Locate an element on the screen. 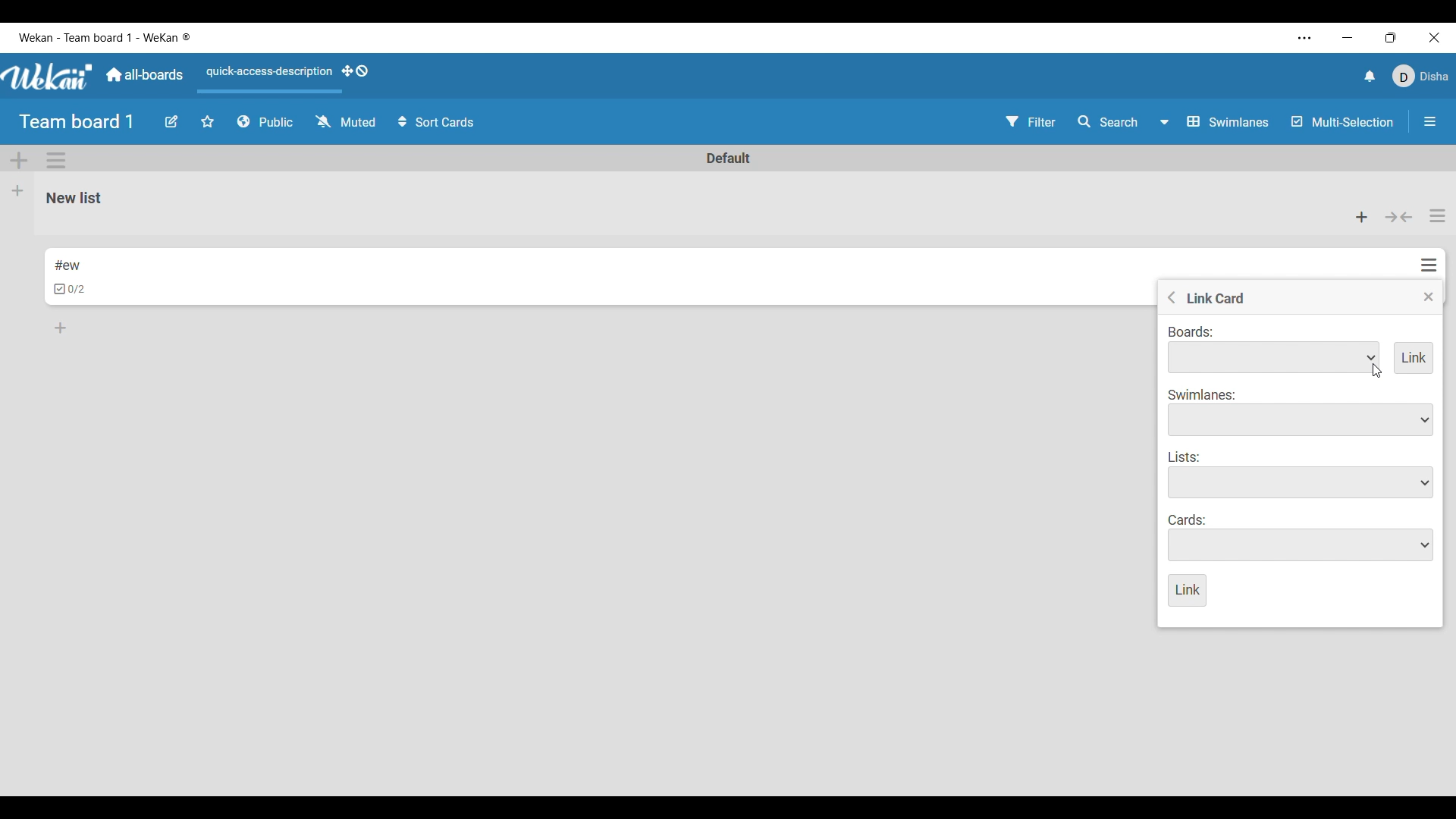  Swimlane name is located at coordinates (729, 158).